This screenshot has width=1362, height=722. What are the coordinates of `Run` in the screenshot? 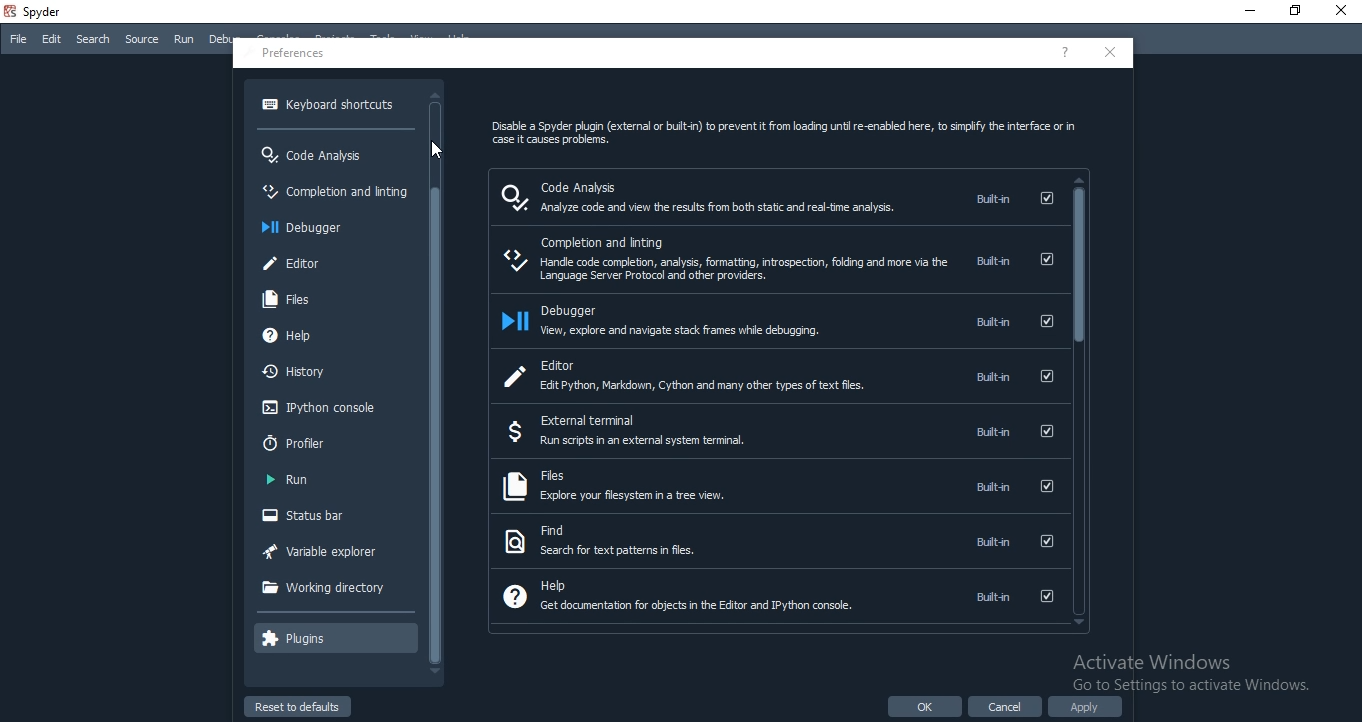 It's located at (184, 38).